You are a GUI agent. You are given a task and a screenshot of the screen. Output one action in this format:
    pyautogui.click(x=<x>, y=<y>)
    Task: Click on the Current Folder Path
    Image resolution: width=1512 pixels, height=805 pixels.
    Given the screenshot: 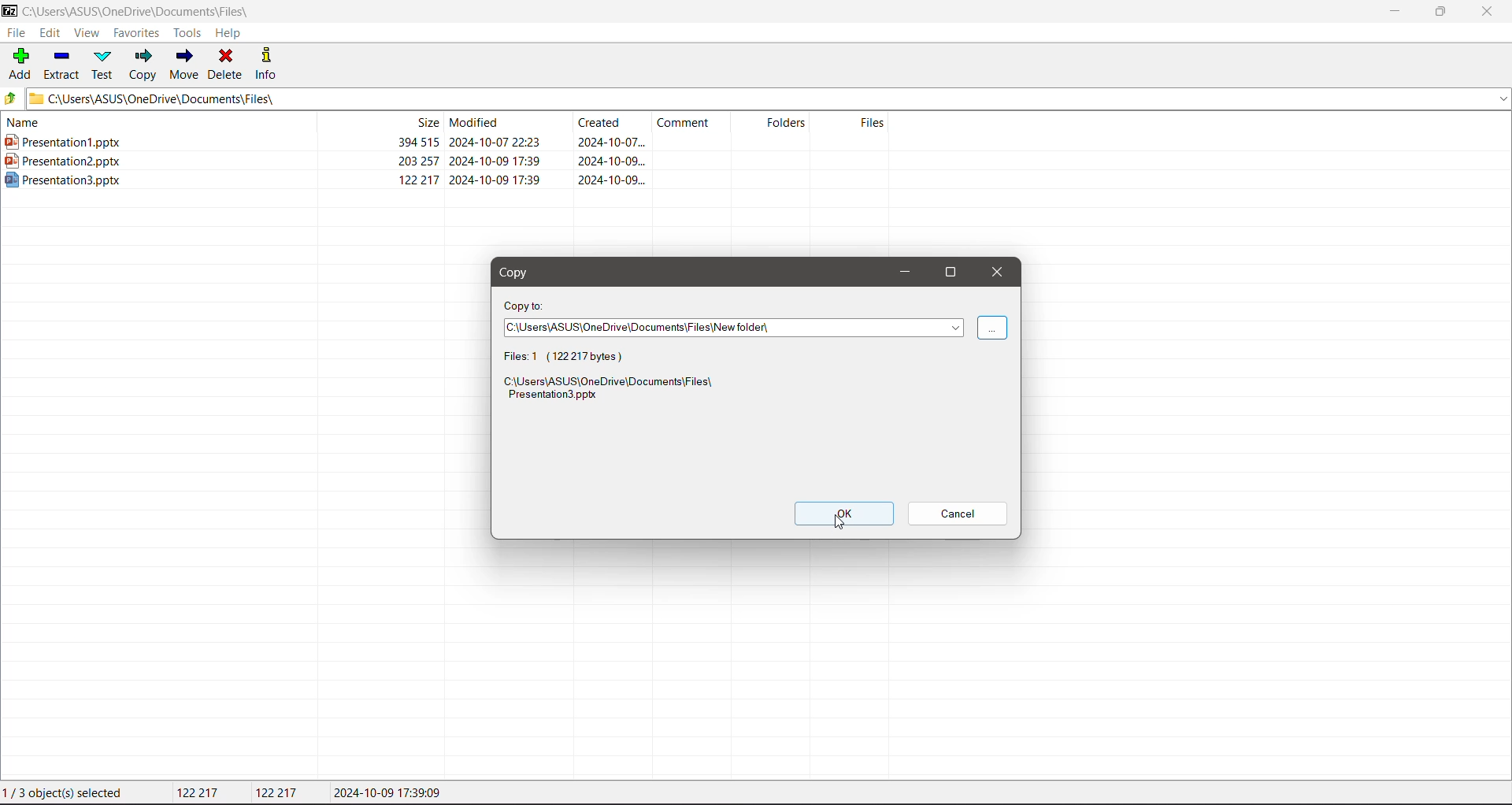 What is the action you would take?
    pyautogui.click(x=770, y=98)
    